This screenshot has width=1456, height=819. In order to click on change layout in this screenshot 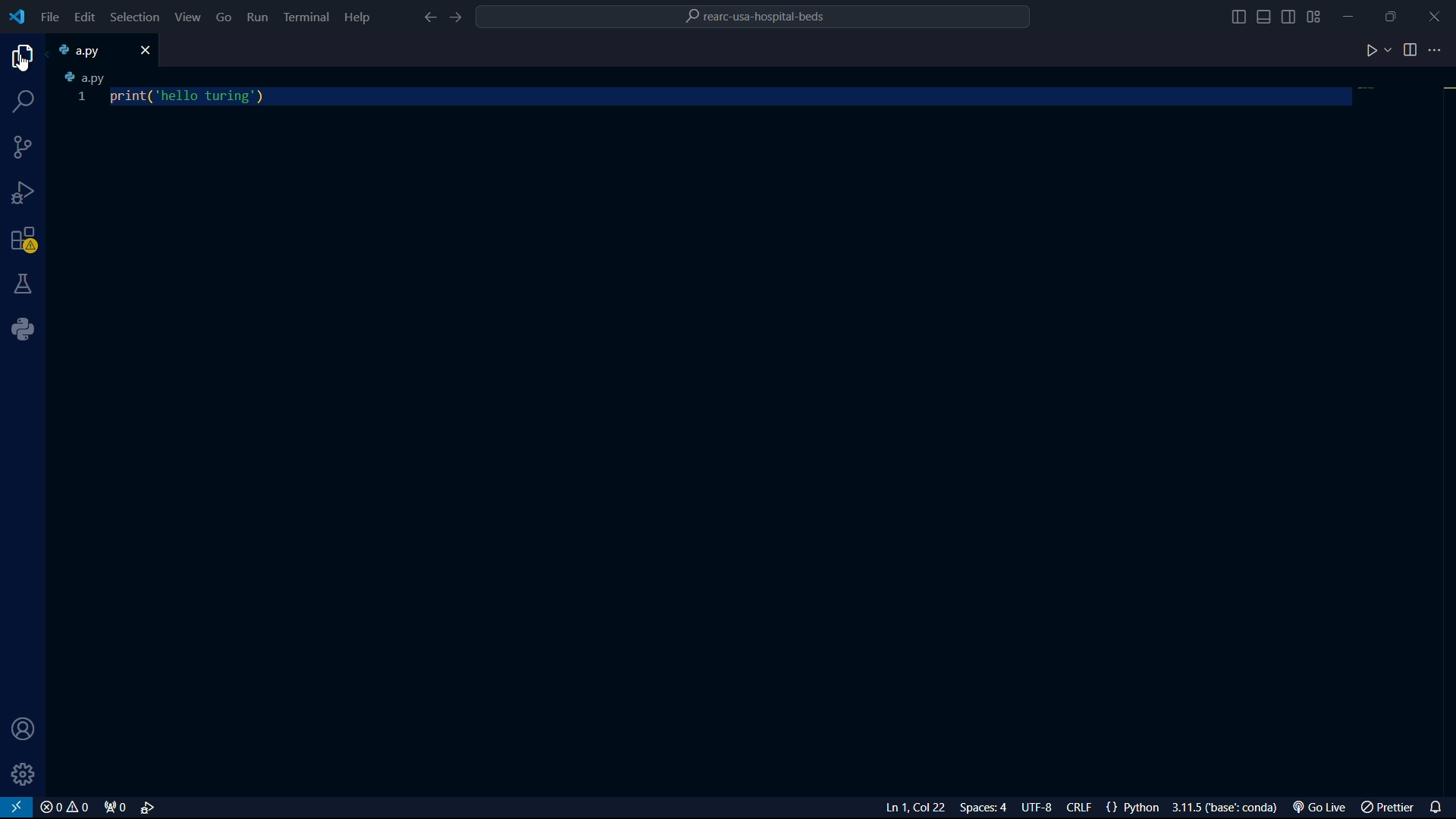, I will do `click(1316, 16)`.